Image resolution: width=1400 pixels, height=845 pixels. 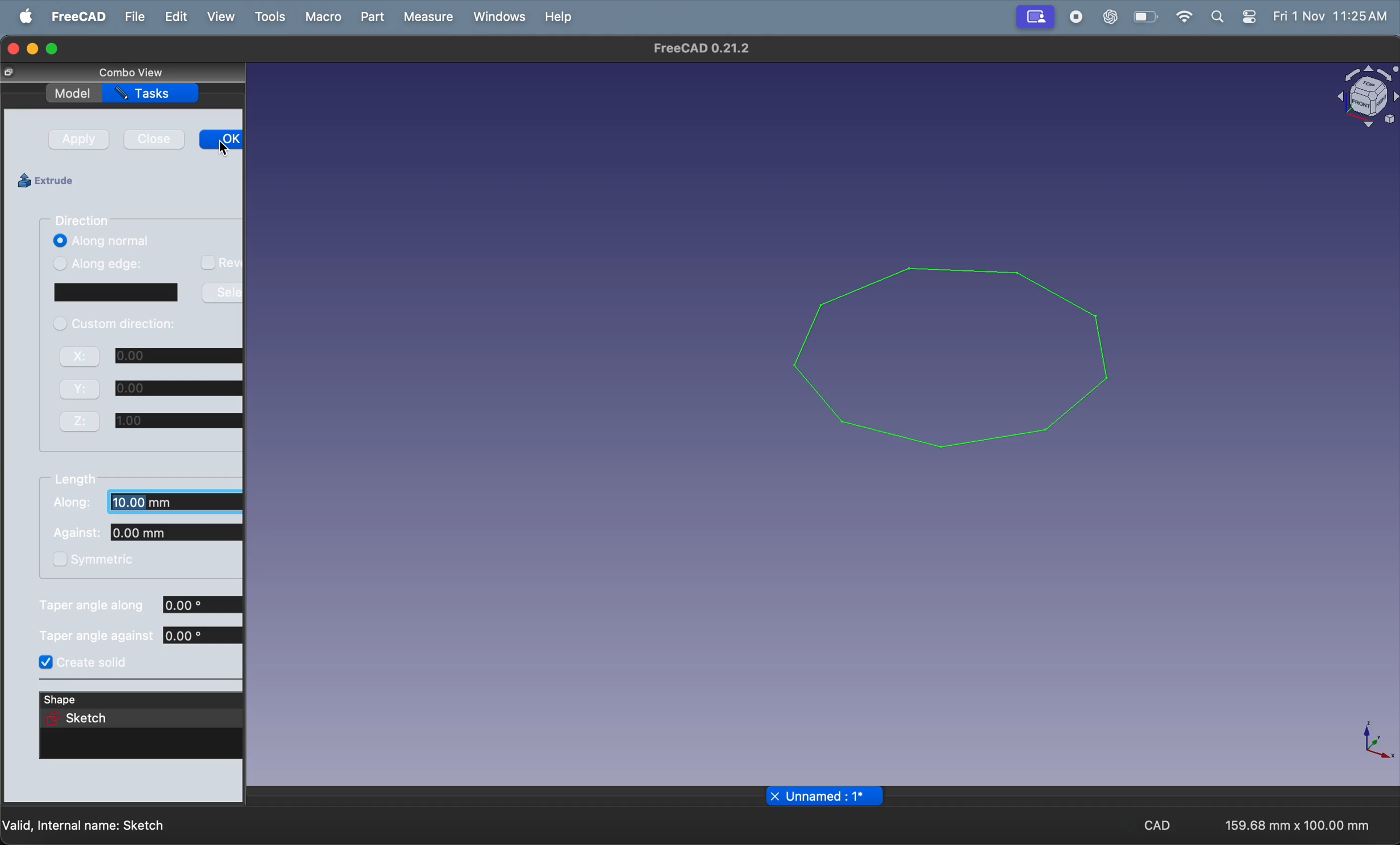 I want to click on polygon, so click(x=953, y=346).